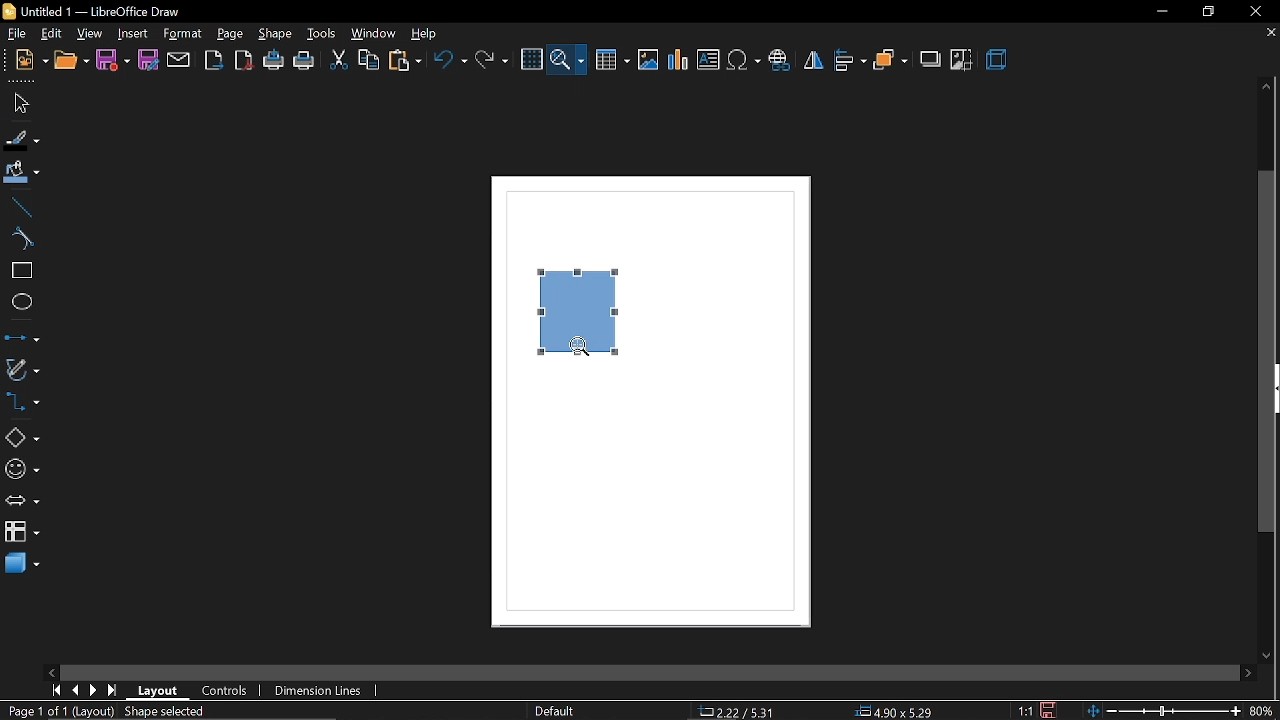 Image resolution: width=1280 pixels, height=720 pixels. I want to click on go to first page, so click(58, 691).